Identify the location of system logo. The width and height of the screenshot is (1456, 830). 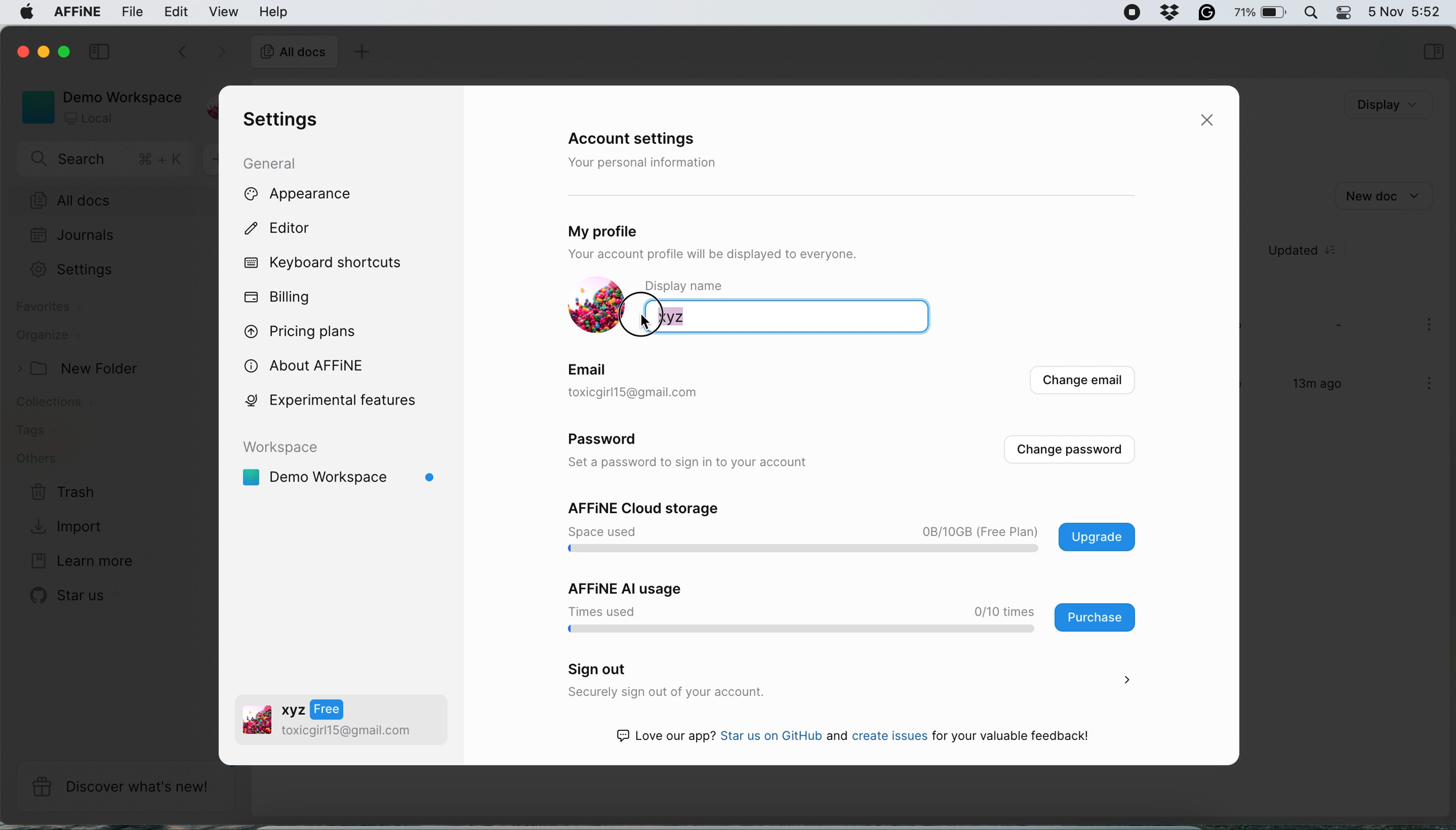
(22, 14).